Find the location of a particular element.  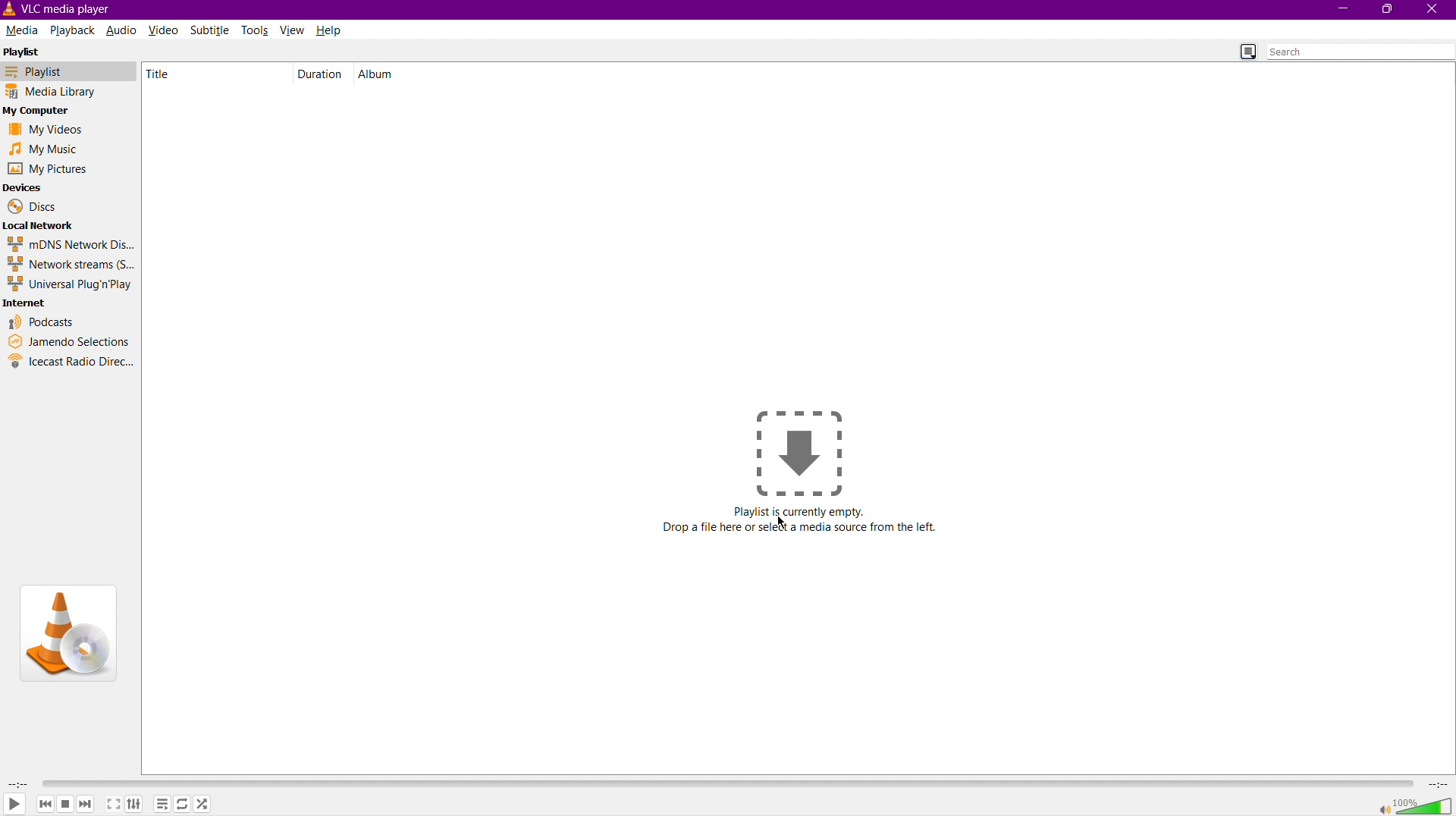

Discs is located at coordinates (30, 206).